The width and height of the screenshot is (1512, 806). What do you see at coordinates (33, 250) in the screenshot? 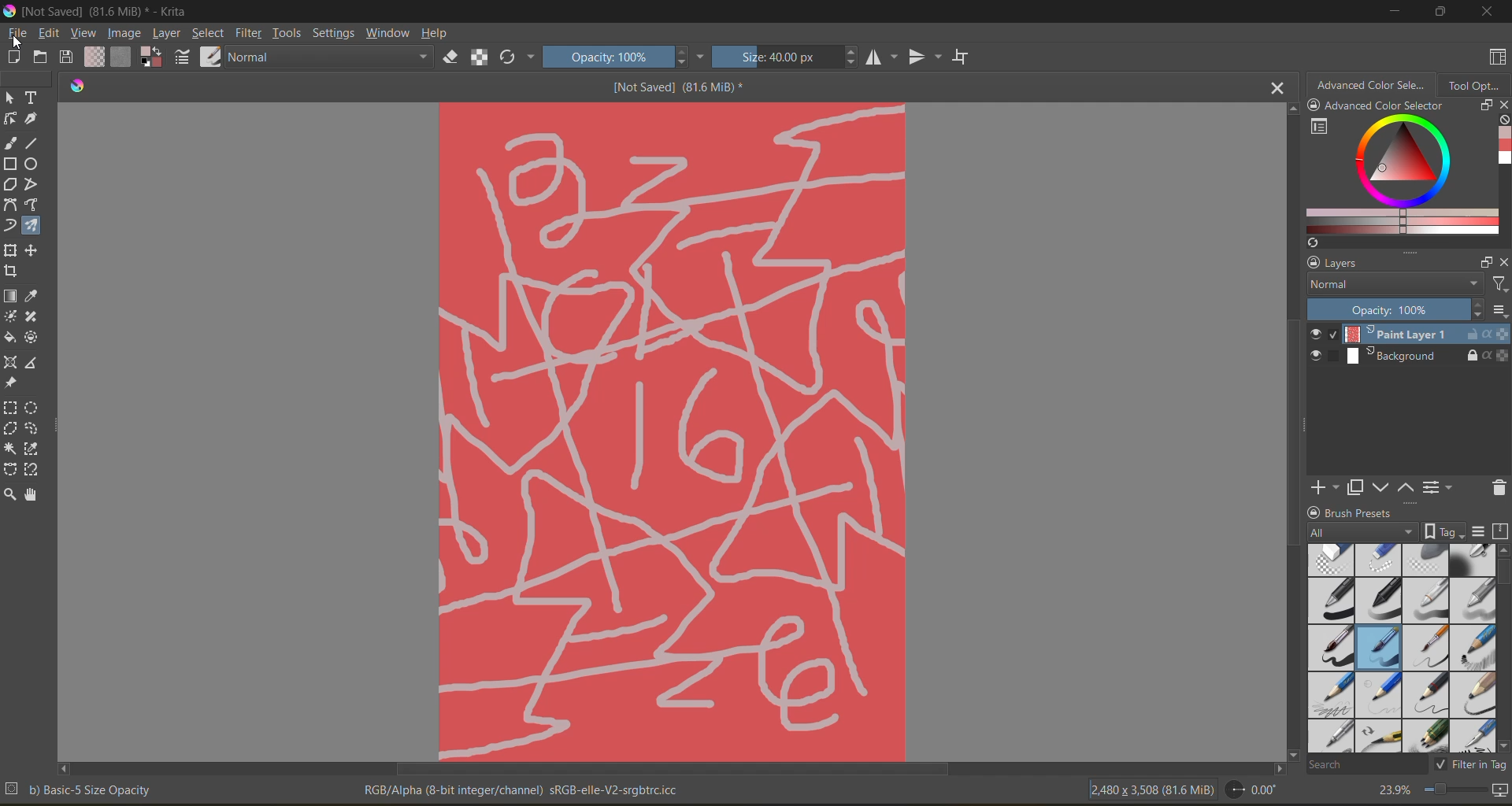
I see `tool` at bounding box center [33, 250].